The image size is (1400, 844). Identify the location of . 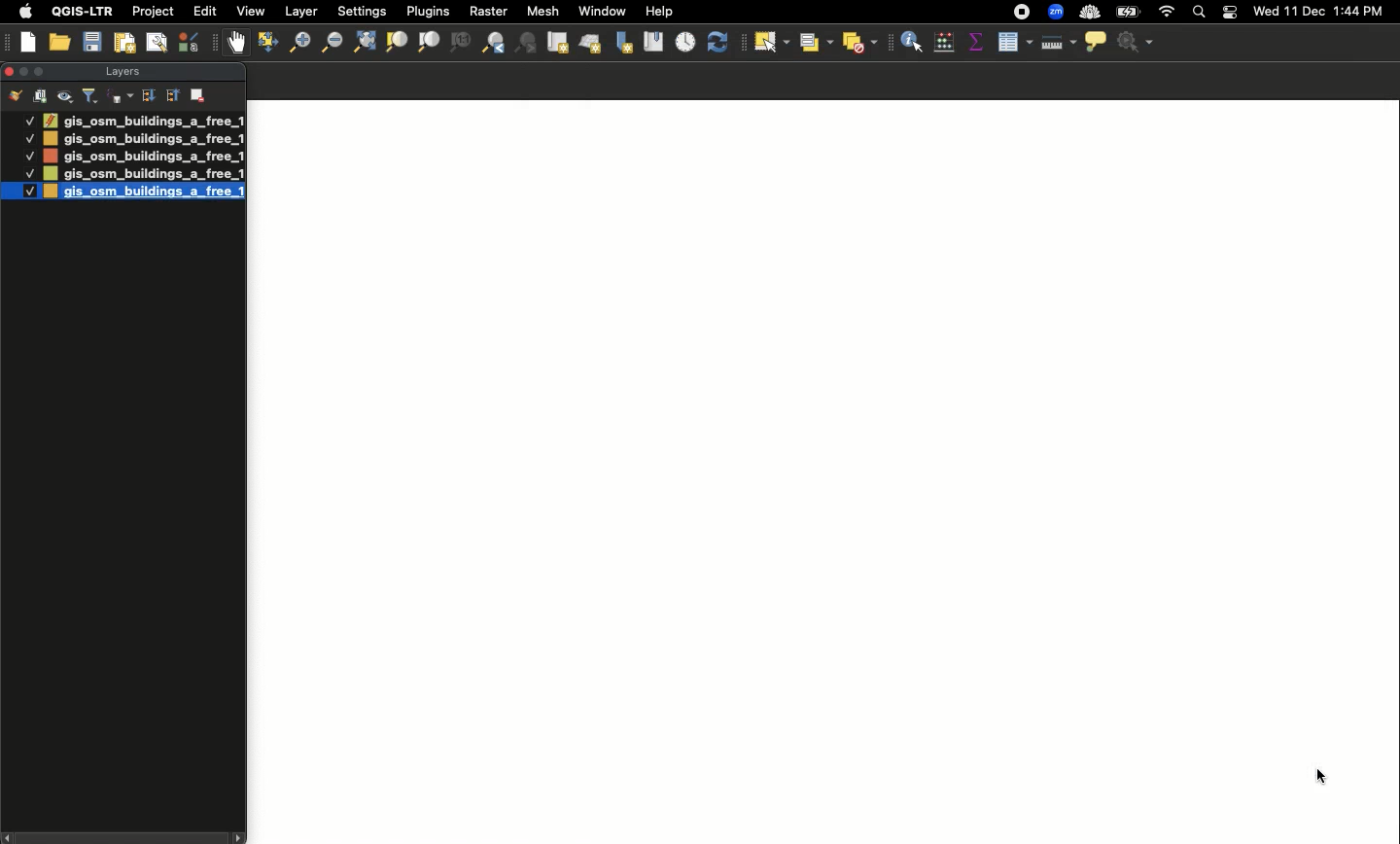
(1093, 14).